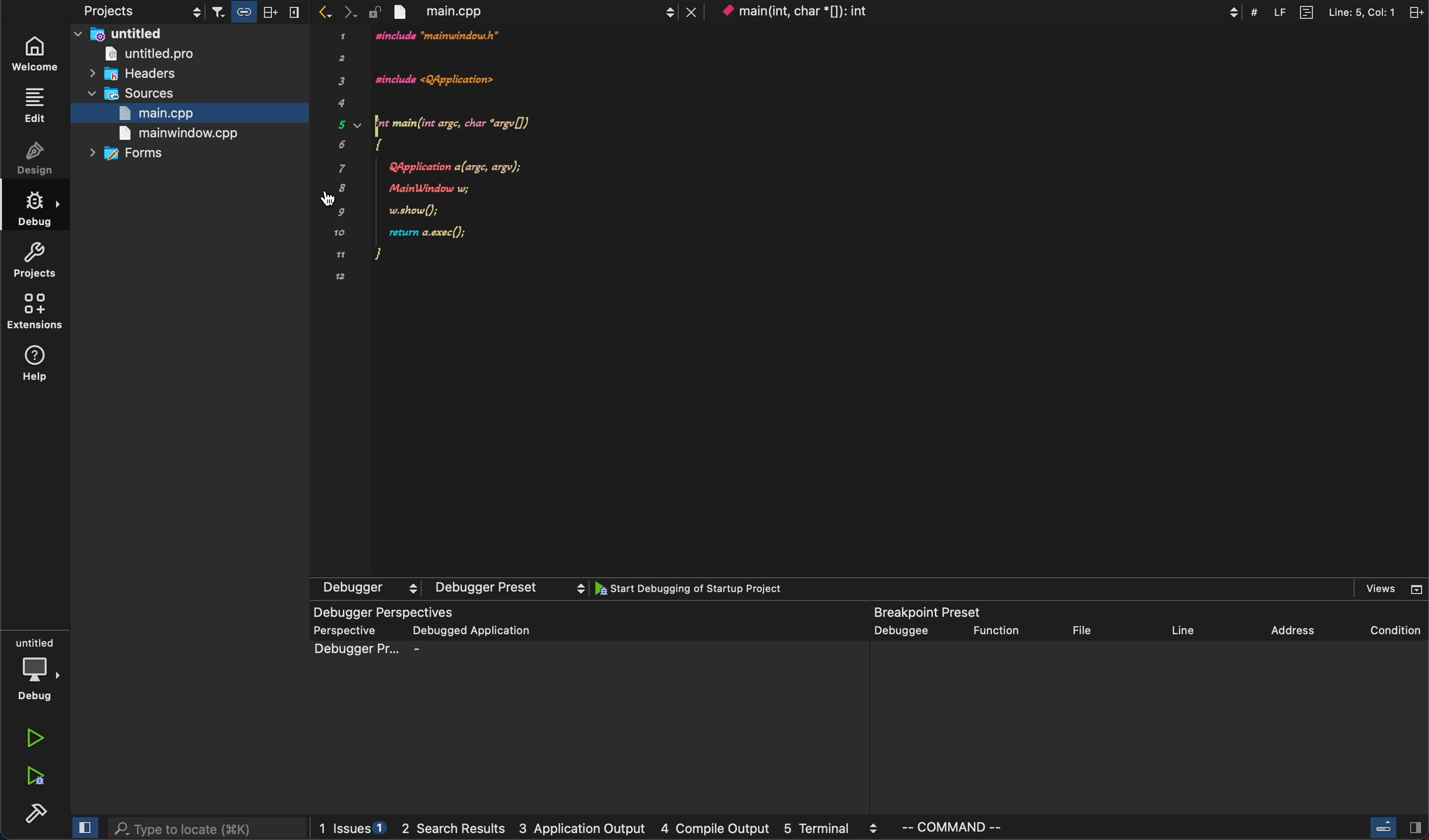 This screenshot has height=840, width=1429. Describe the element at coordinates (38, 49) in the screenshot. I see `welcome` at that location.